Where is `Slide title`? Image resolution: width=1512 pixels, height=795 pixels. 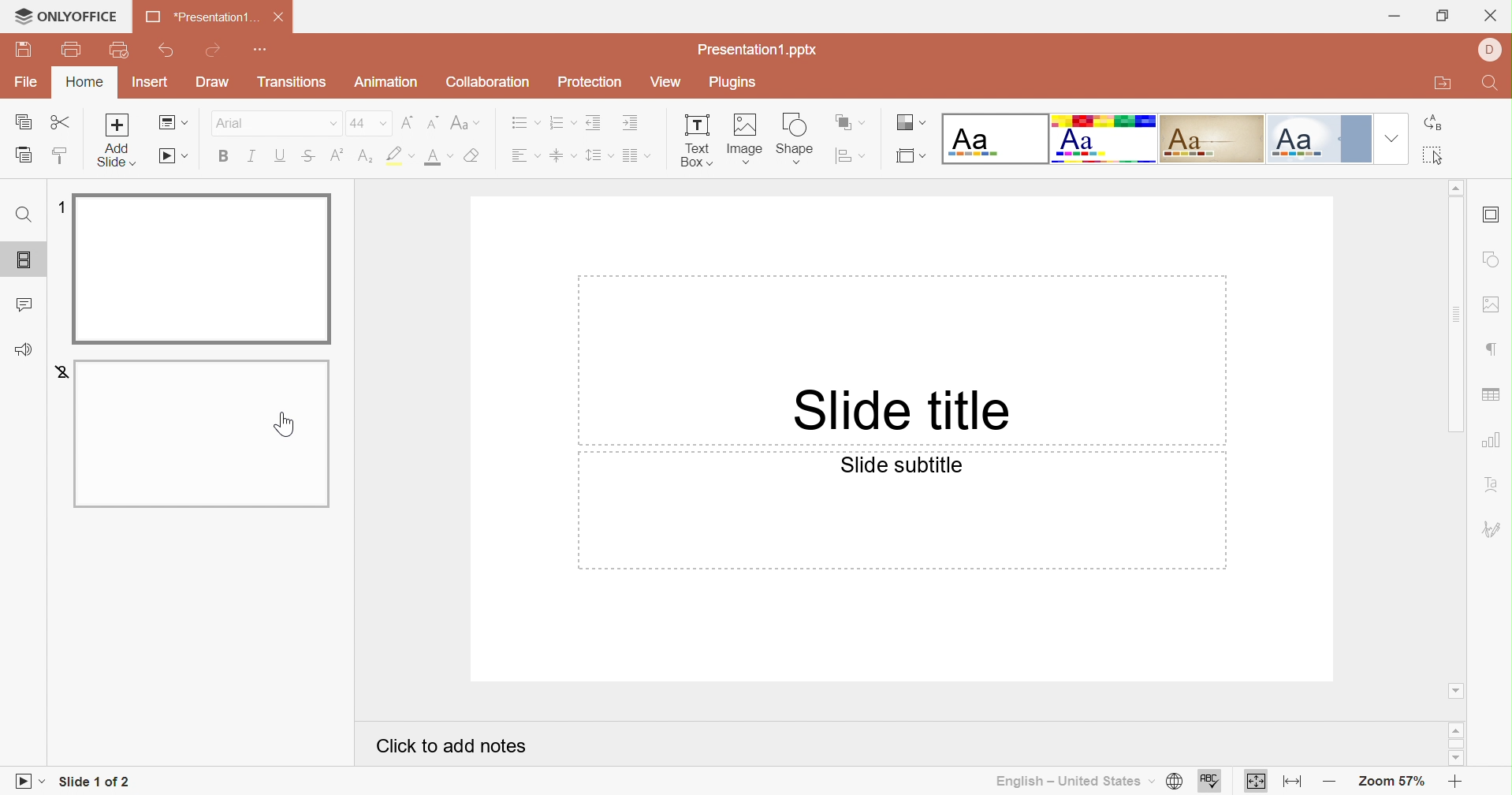
Slide title is located at coordinates (908, 409).